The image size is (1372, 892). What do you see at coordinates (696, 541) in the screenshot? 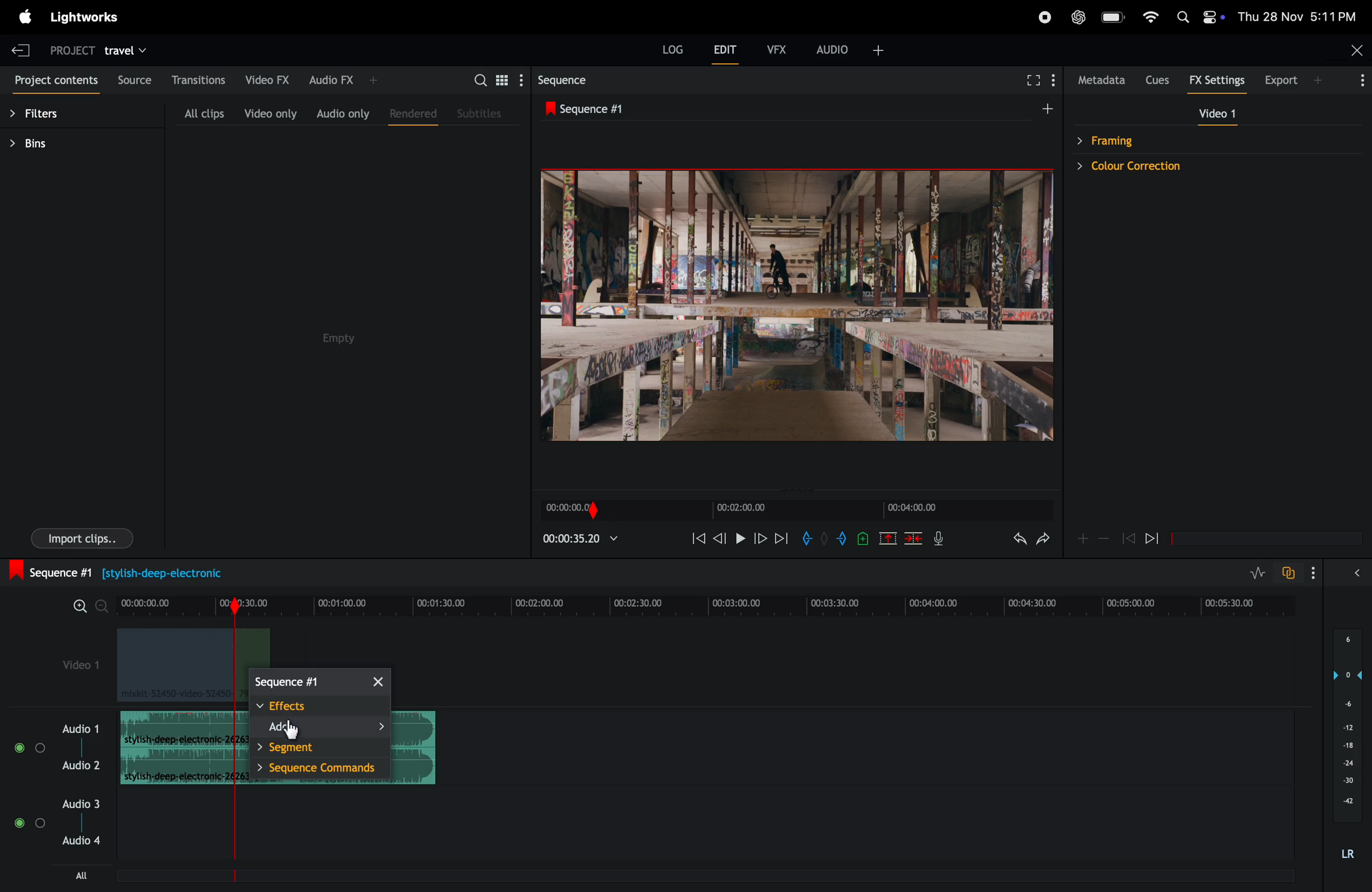
I see `rewind` at bounding box center [696, 541].